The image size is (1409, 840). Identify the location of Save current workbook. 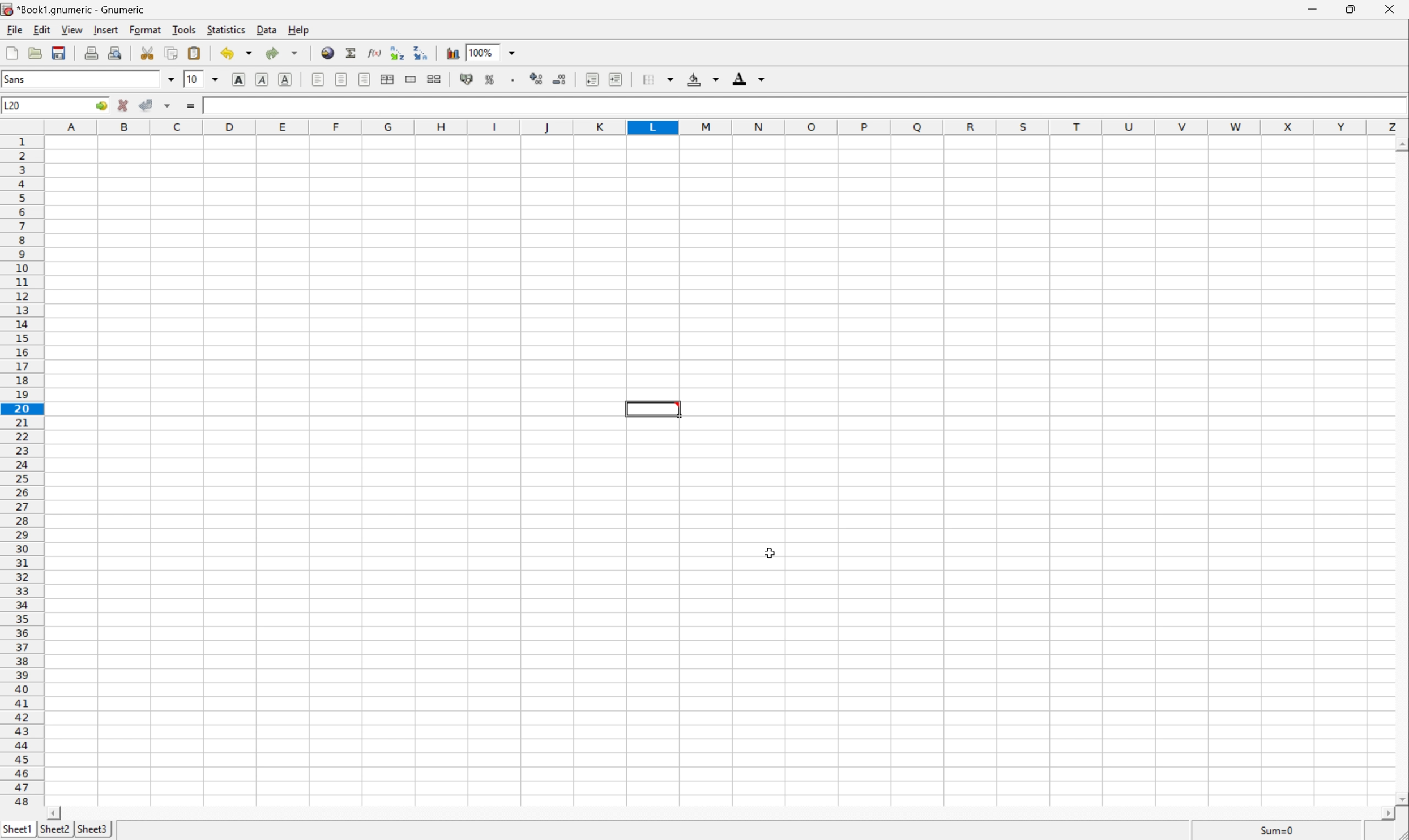
(60, 53).